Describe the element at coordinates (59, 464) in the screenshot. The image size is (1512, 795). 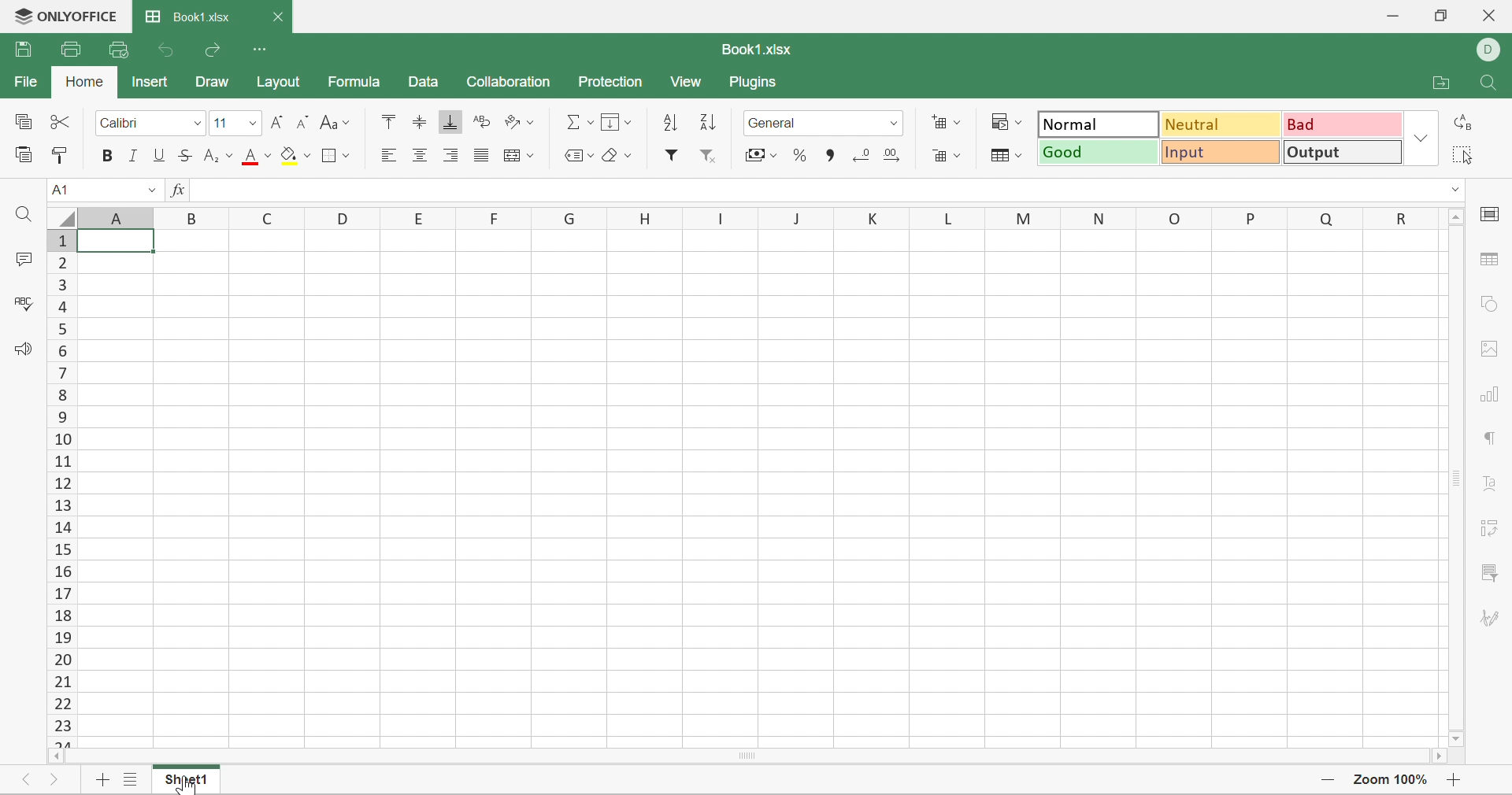
I see `11` at that location.